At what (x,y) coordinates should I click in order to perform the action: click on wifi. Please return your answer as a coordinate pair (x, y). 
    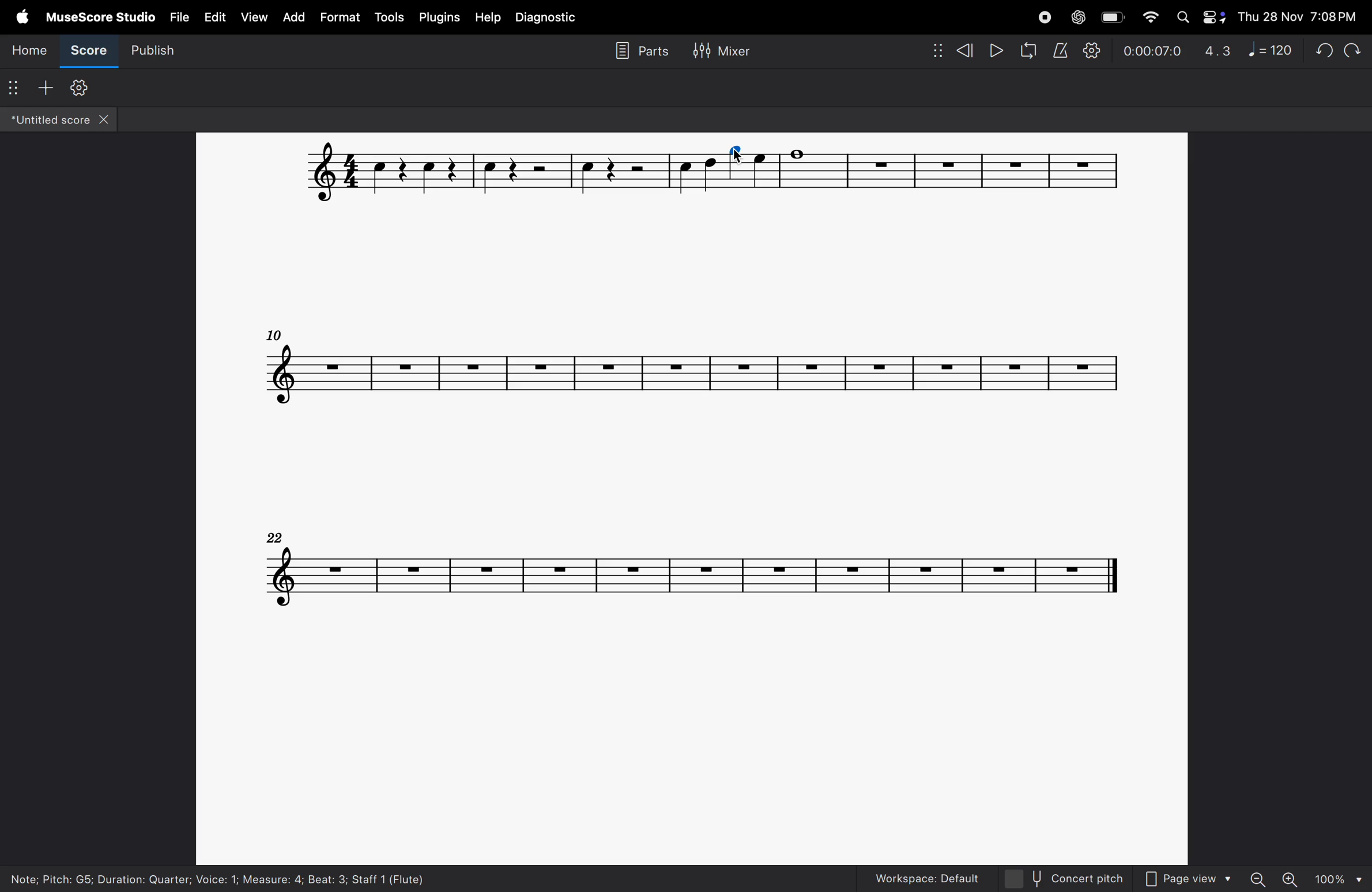
    Looking at the image, I should click on (1146, 18).